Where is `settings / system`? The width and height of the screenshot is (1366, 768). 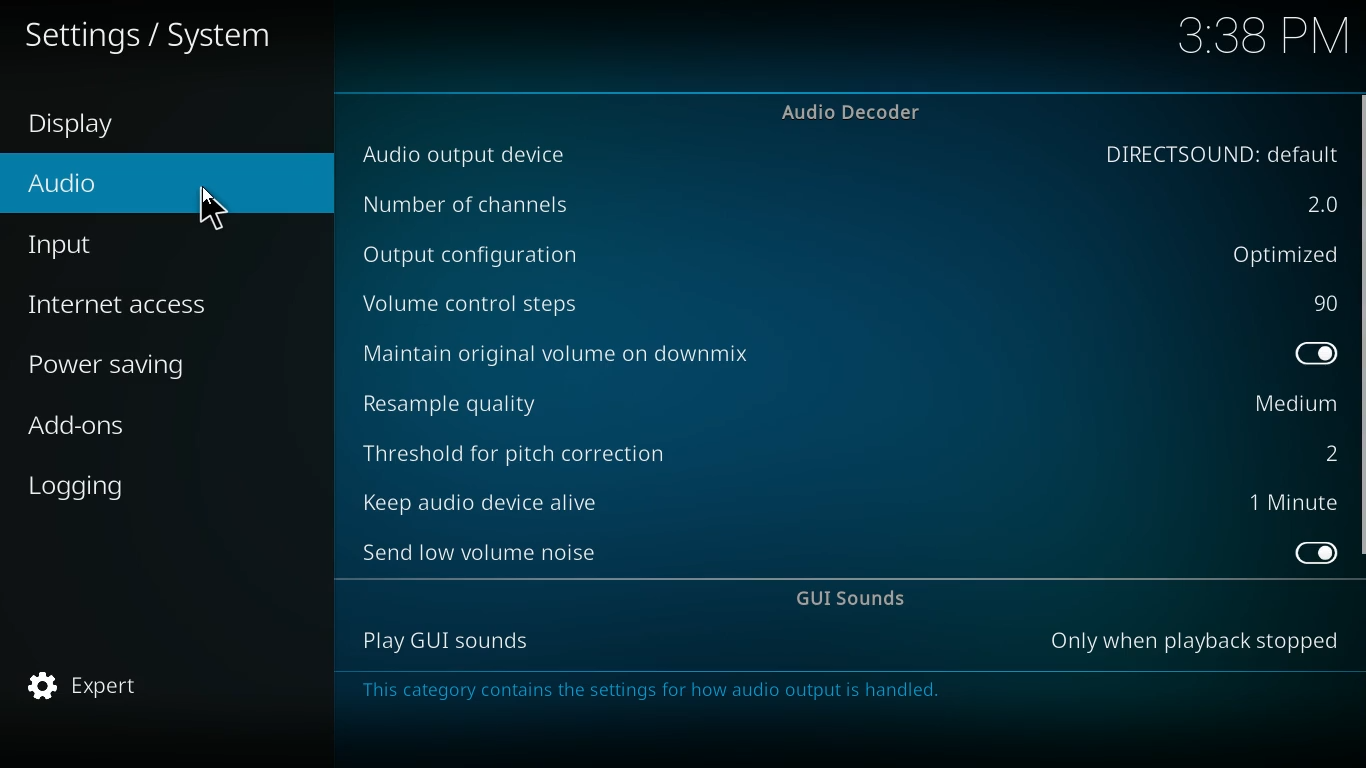 settings / system is located at coordinates (159, 33).